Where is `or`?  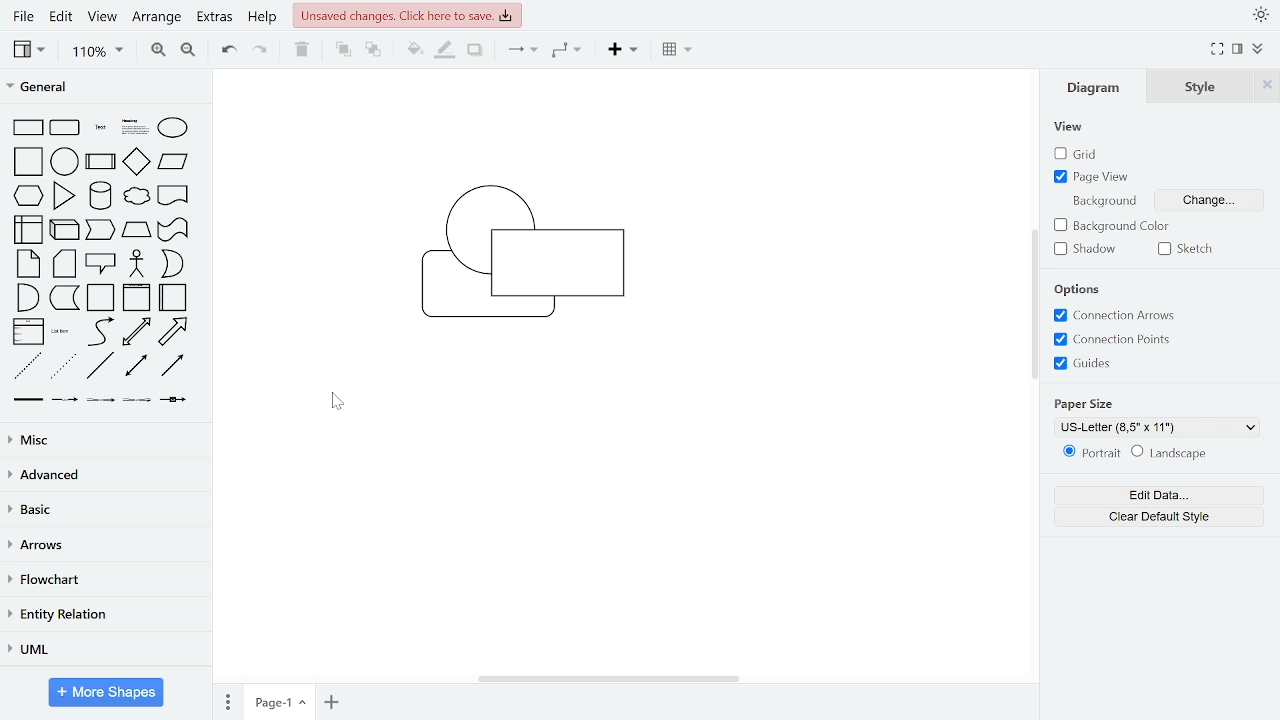 or is located at coordinates (172, 264).